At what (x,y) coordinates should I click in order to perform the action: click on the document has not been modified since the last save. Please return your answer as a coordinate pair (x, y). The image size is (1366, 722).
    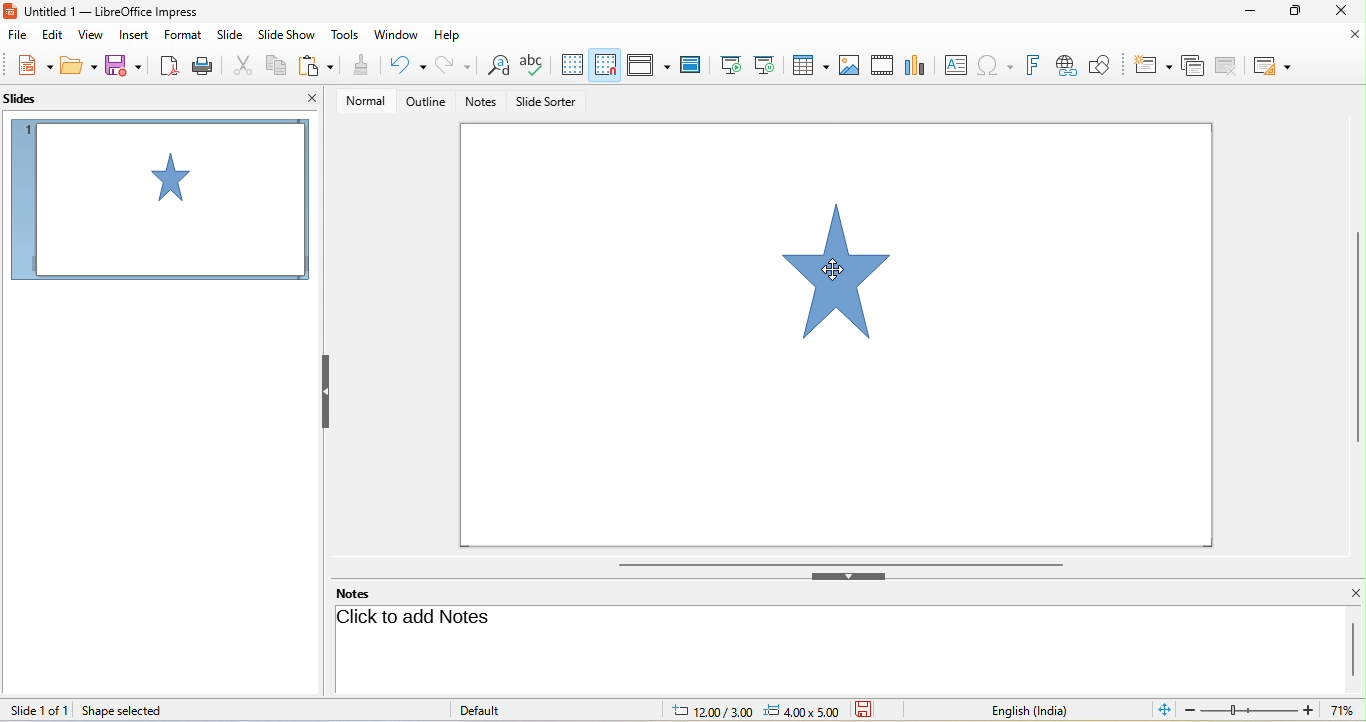
    Looking at the image, I should click on (876, 710).